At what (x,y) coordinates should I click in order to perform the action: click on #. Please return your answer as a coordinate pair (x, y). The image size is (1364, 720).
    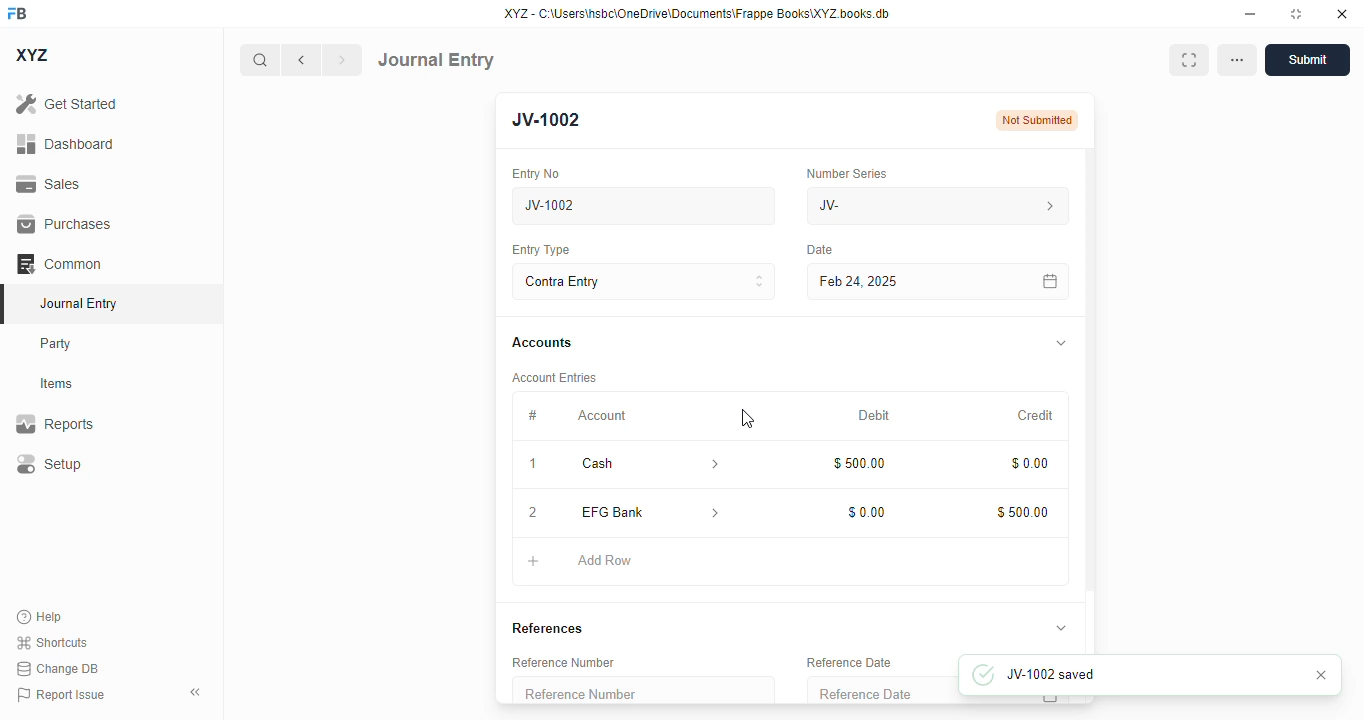
    Looking at the image, I should click on (531, 415).